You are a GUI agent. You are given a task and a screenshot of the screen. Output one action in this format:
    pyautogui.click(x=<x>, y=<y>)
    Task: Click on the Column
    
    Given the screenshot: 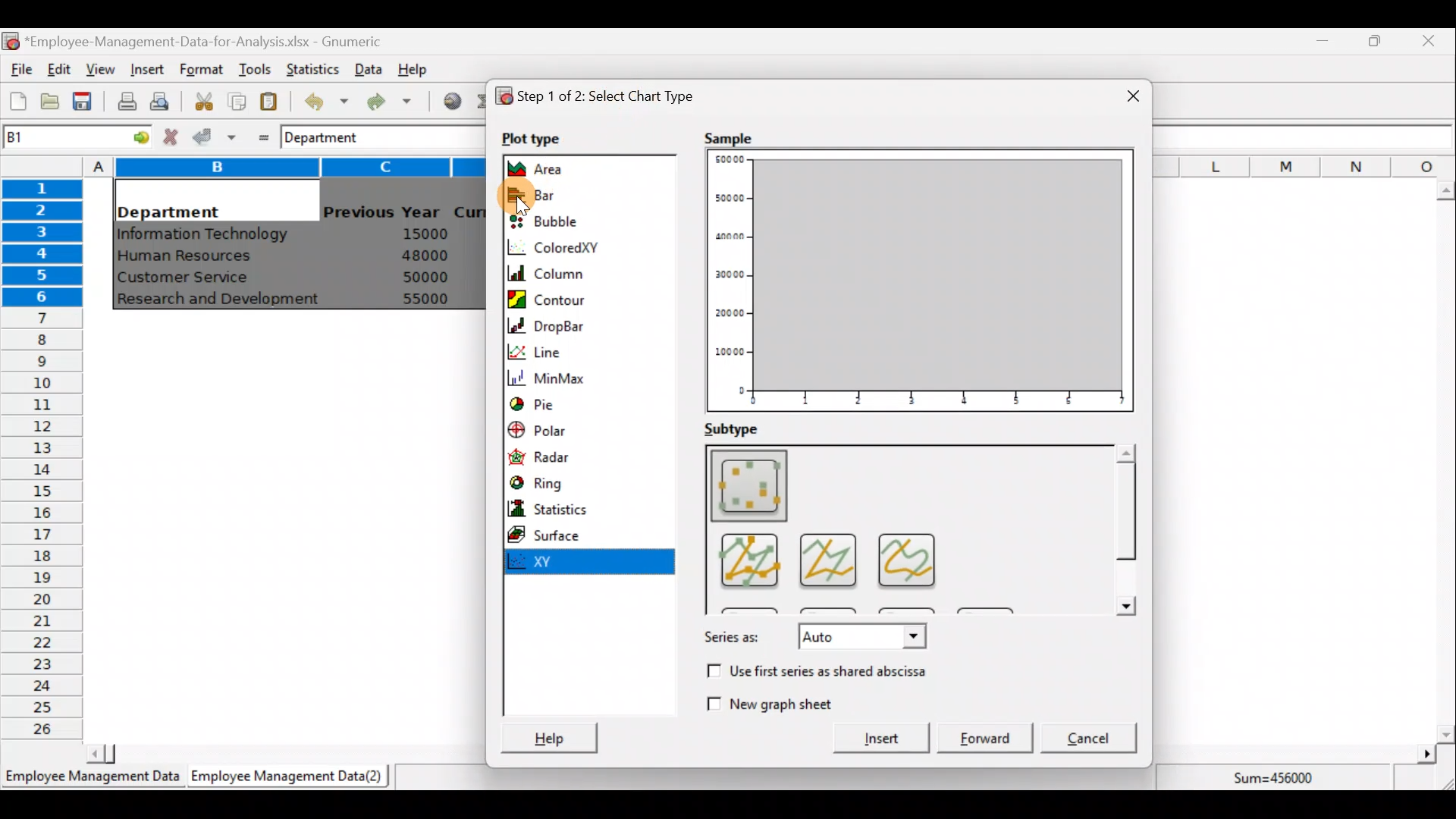 What is the action you would take?
    pyautogui.click(x=582, y=274)
    